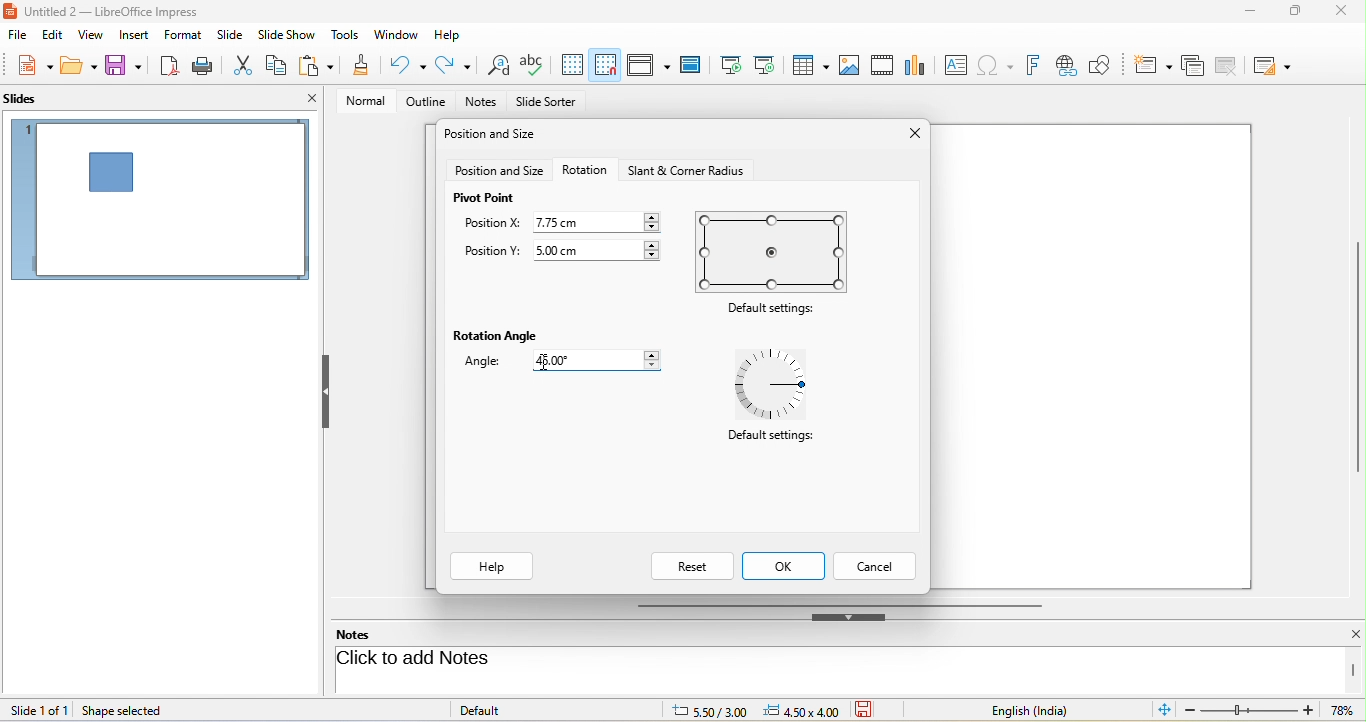 This screenshot has height=722, width=1366. What do you see at coordinates (39, 710) in the screenshot?
I see `slide 1 of 1` at bounding box center [39, 710].